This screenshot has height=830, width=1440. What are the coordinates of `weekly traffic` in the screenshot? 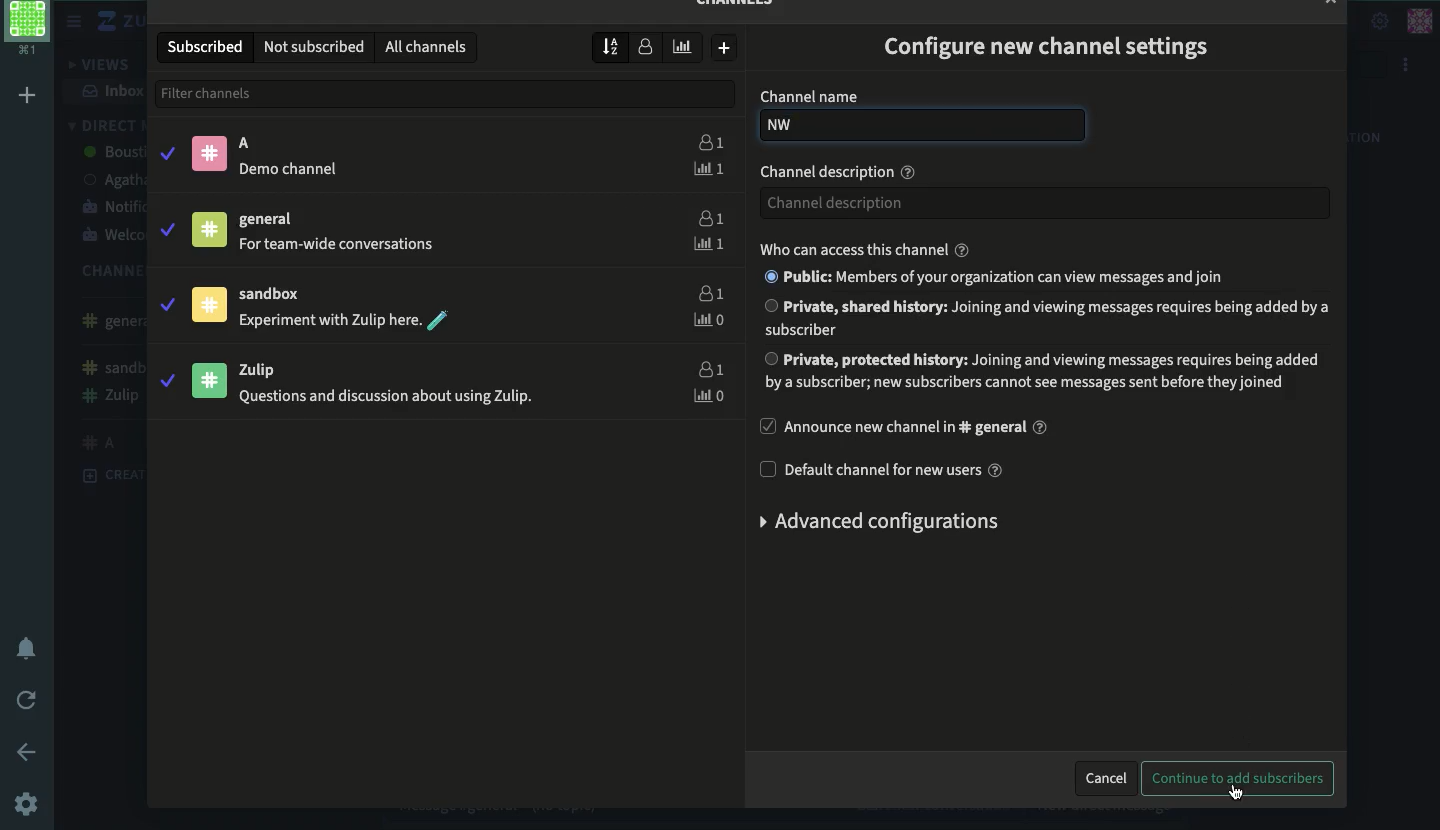 It's located at (683, 48).